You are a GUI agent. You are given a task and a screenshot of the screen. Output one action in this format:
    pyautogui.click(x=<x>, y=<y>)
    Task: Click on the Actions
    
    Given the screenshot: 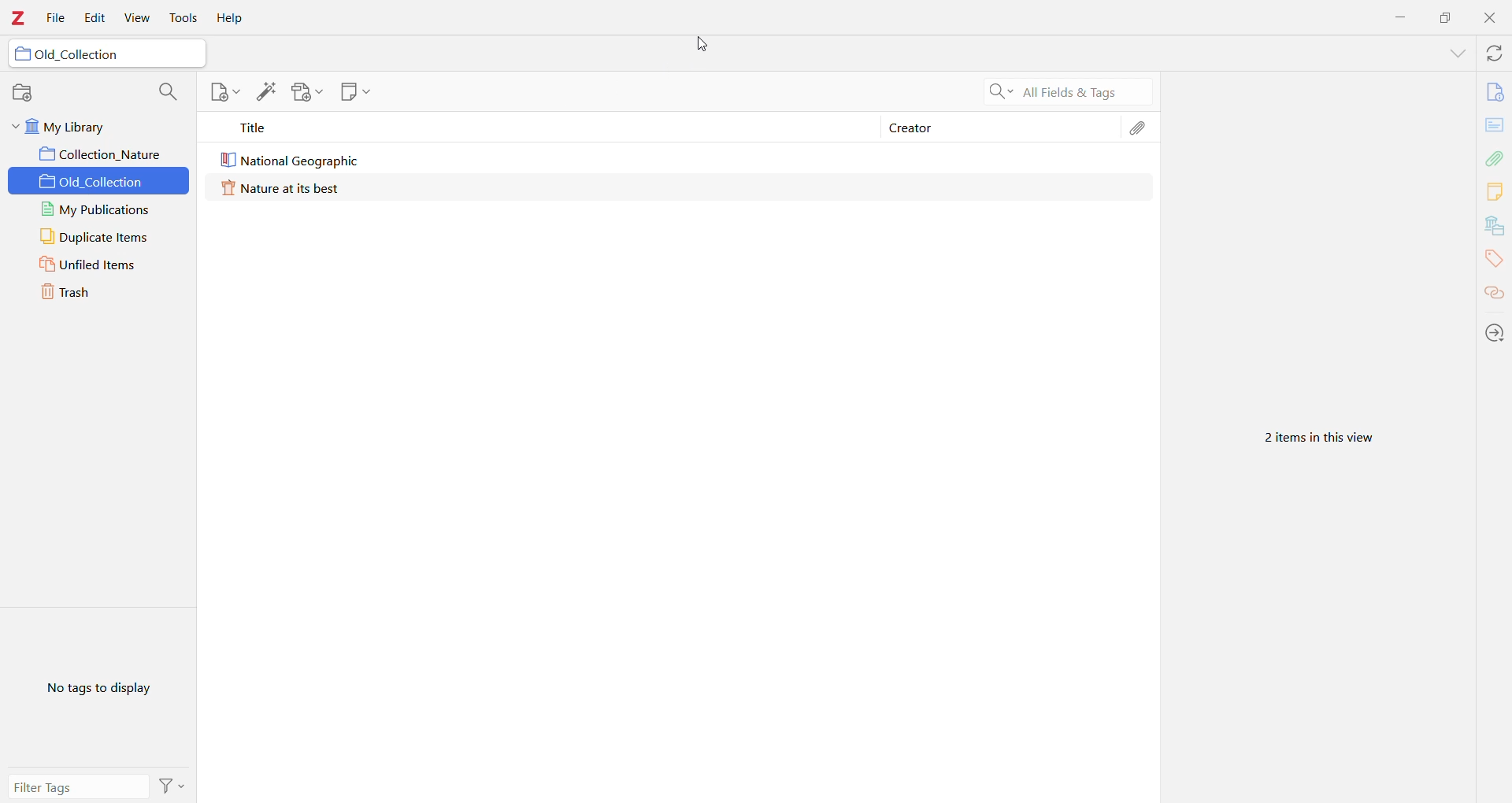 What is the action you would take?
    pyautogui.click(x=174, y=785)
    